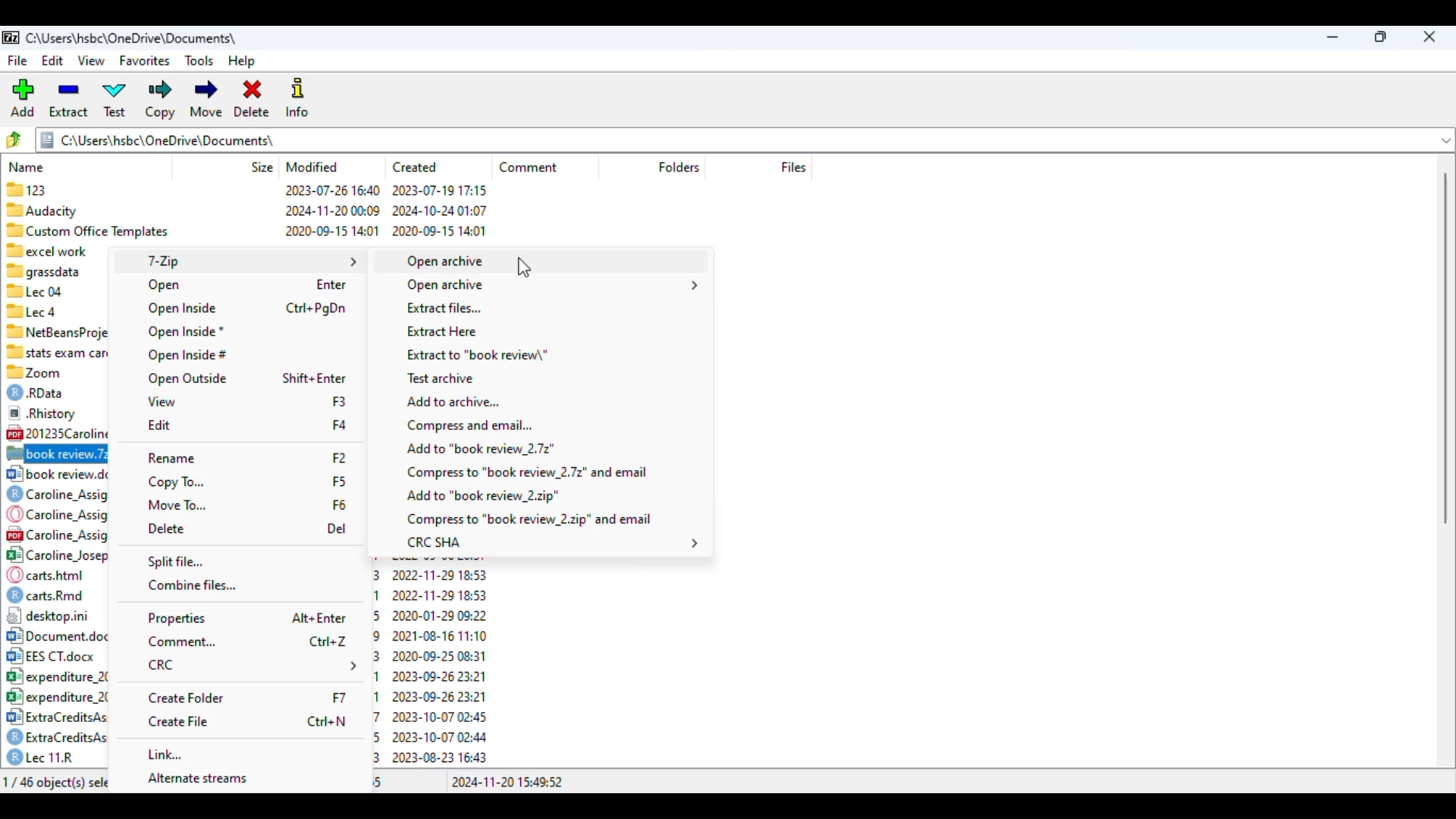 Image resolution: width=1456 pixels, height=819 pixels. I want to click on extract to file, so click(478, 354).